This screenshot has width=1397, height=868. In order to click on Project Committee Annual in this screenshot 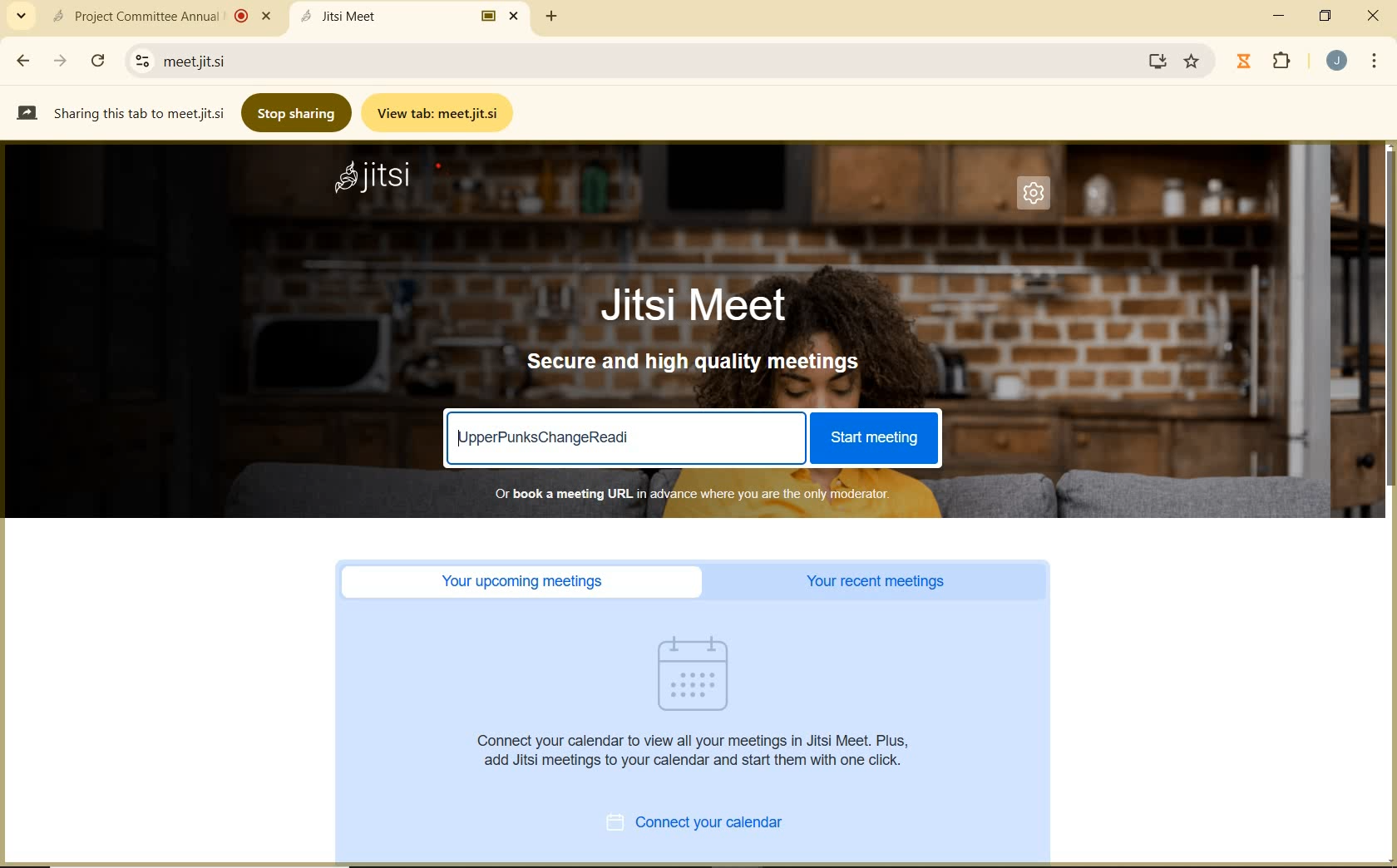, I will do `click(159, 16)`.